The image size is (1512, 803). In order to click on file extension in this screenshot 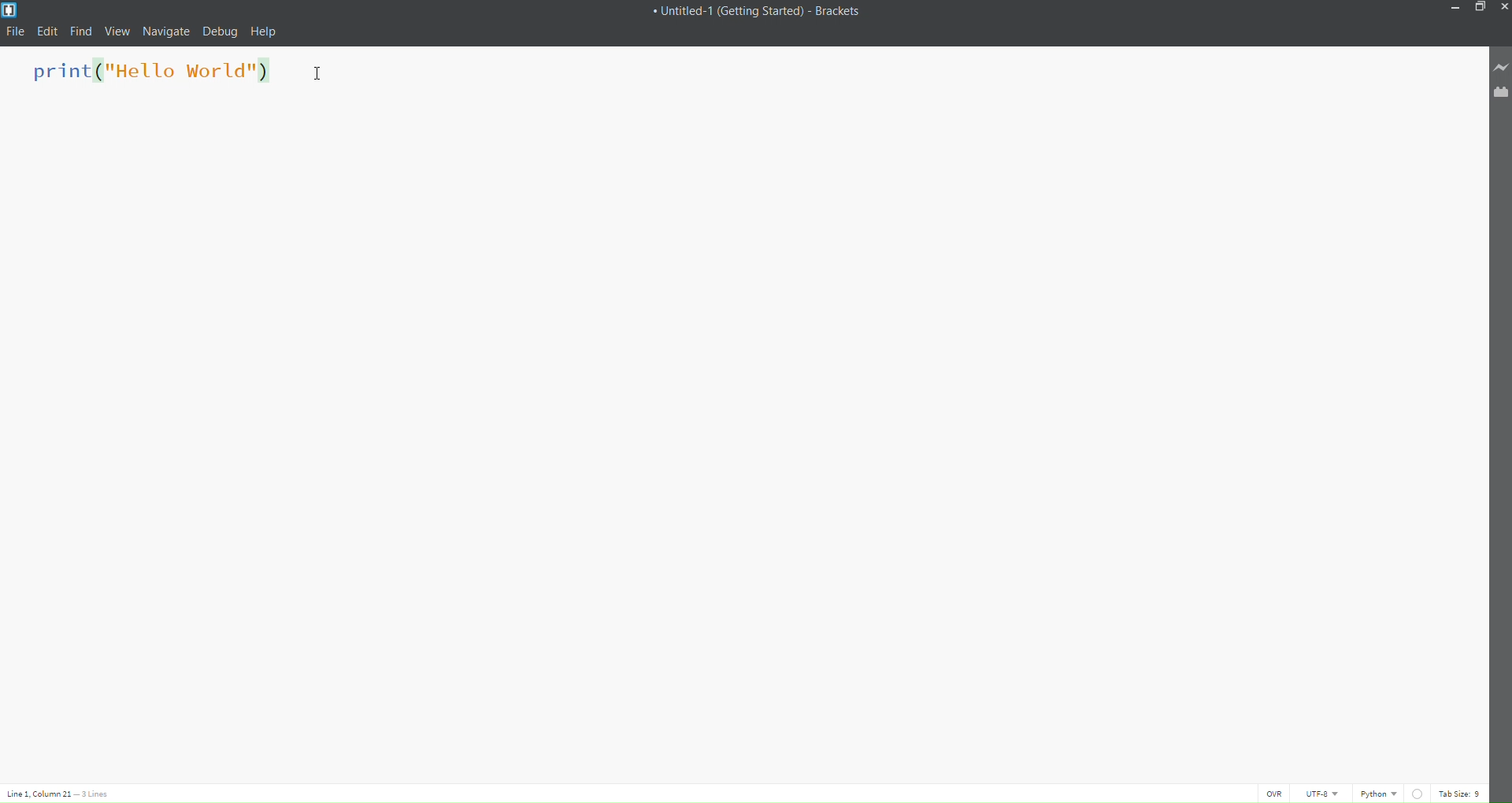, I will do `click(1499, 92)`.